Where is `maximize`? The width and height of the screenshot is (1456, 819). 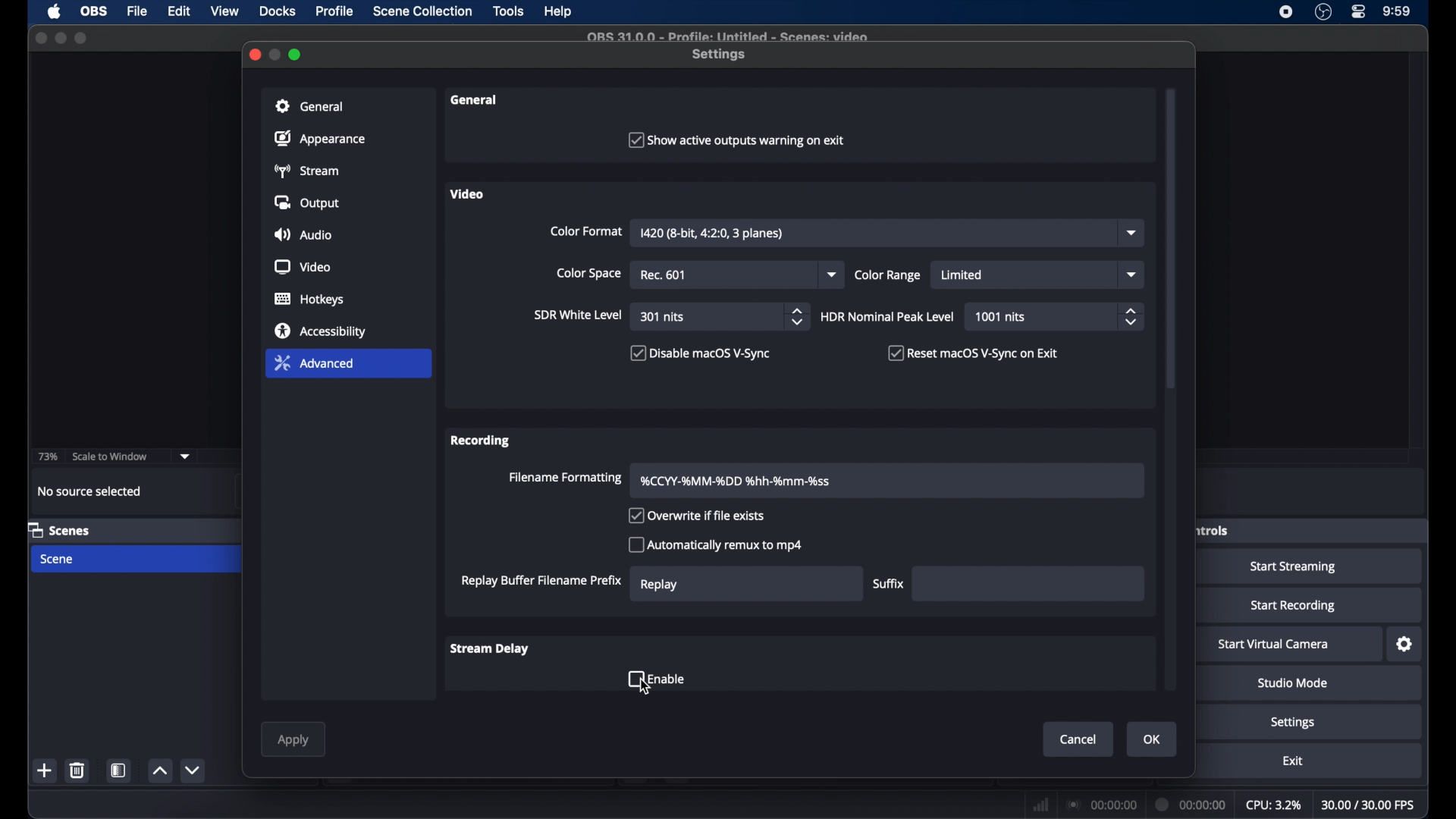
maximize is located at coordinates (297, 55).